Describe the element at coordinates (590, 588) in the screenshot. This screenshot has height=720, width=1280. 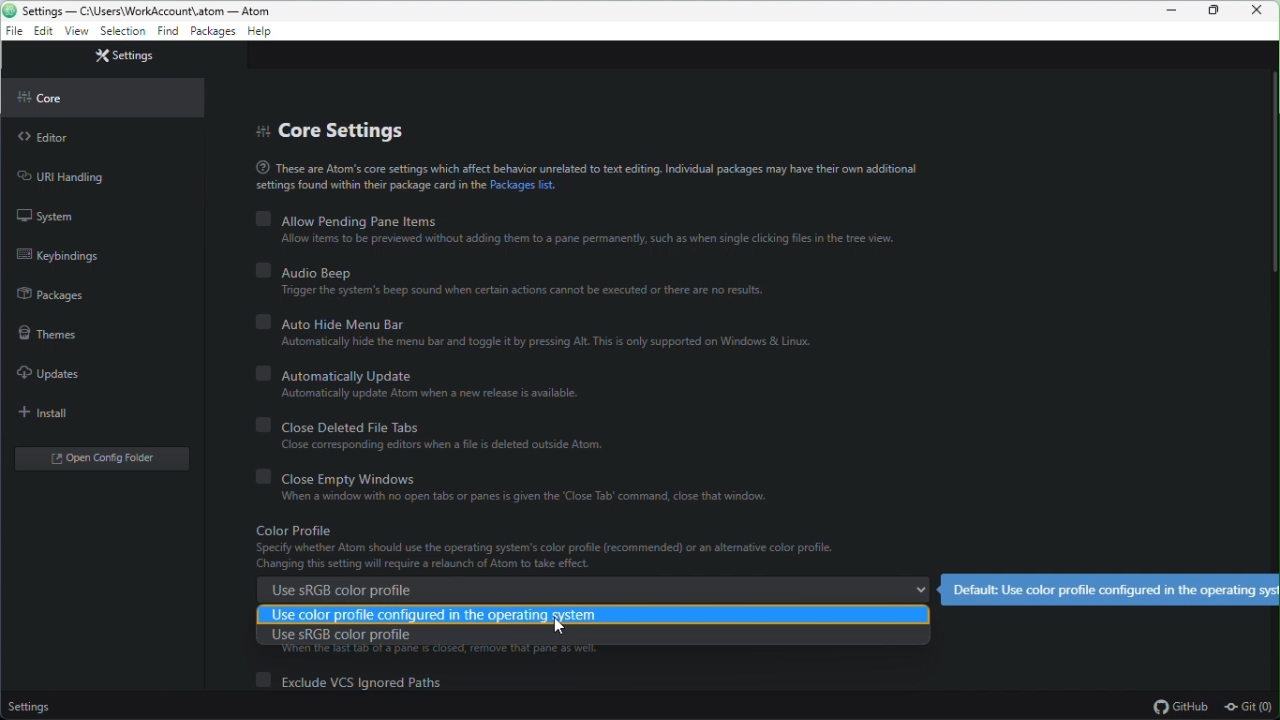
I see `Use sRGB color profile` at that location.